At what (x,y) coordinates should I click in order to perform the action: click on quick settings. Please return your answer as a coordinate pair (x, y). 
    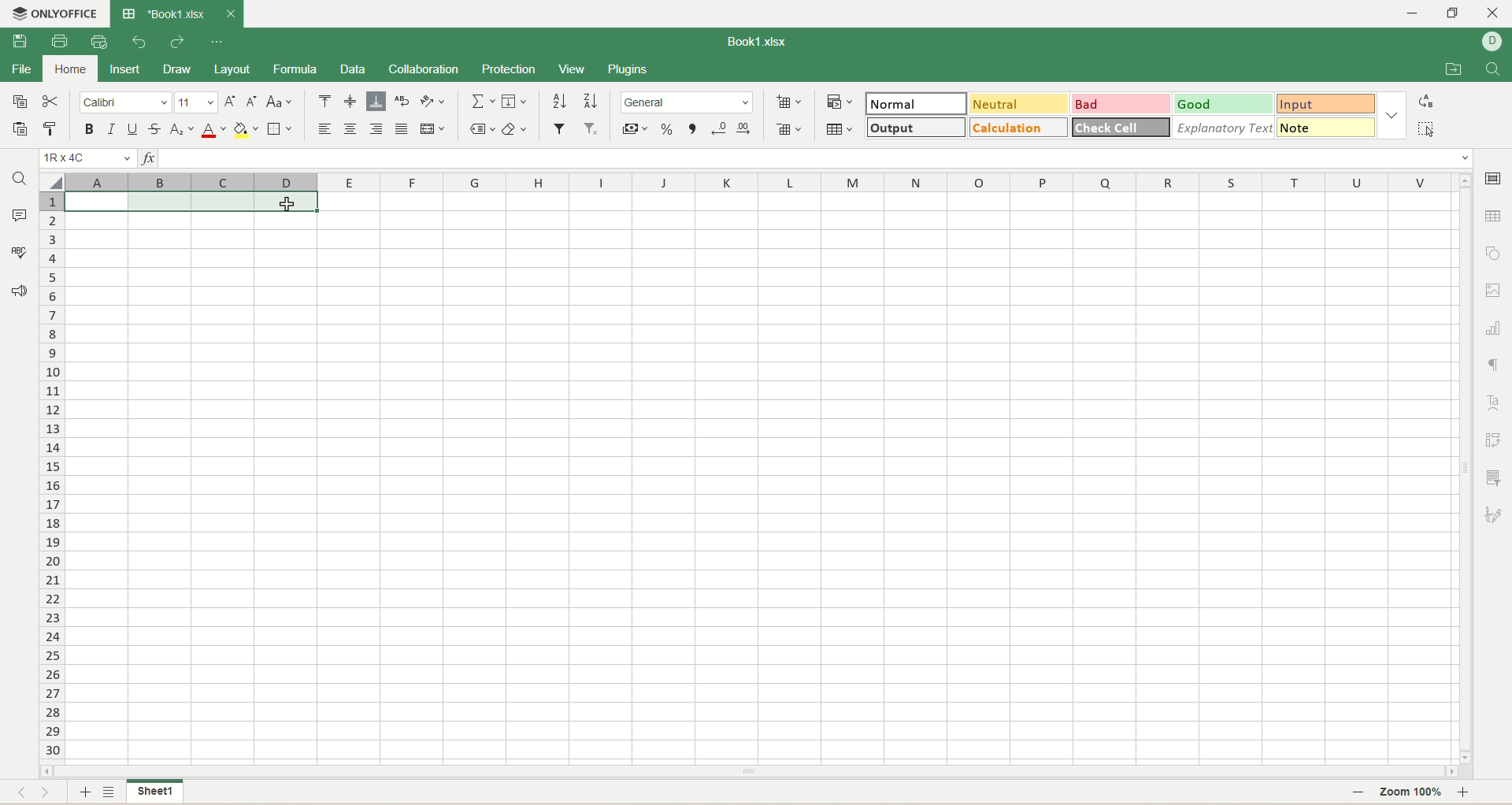
    Looking at the image, I should click on (217, 44).